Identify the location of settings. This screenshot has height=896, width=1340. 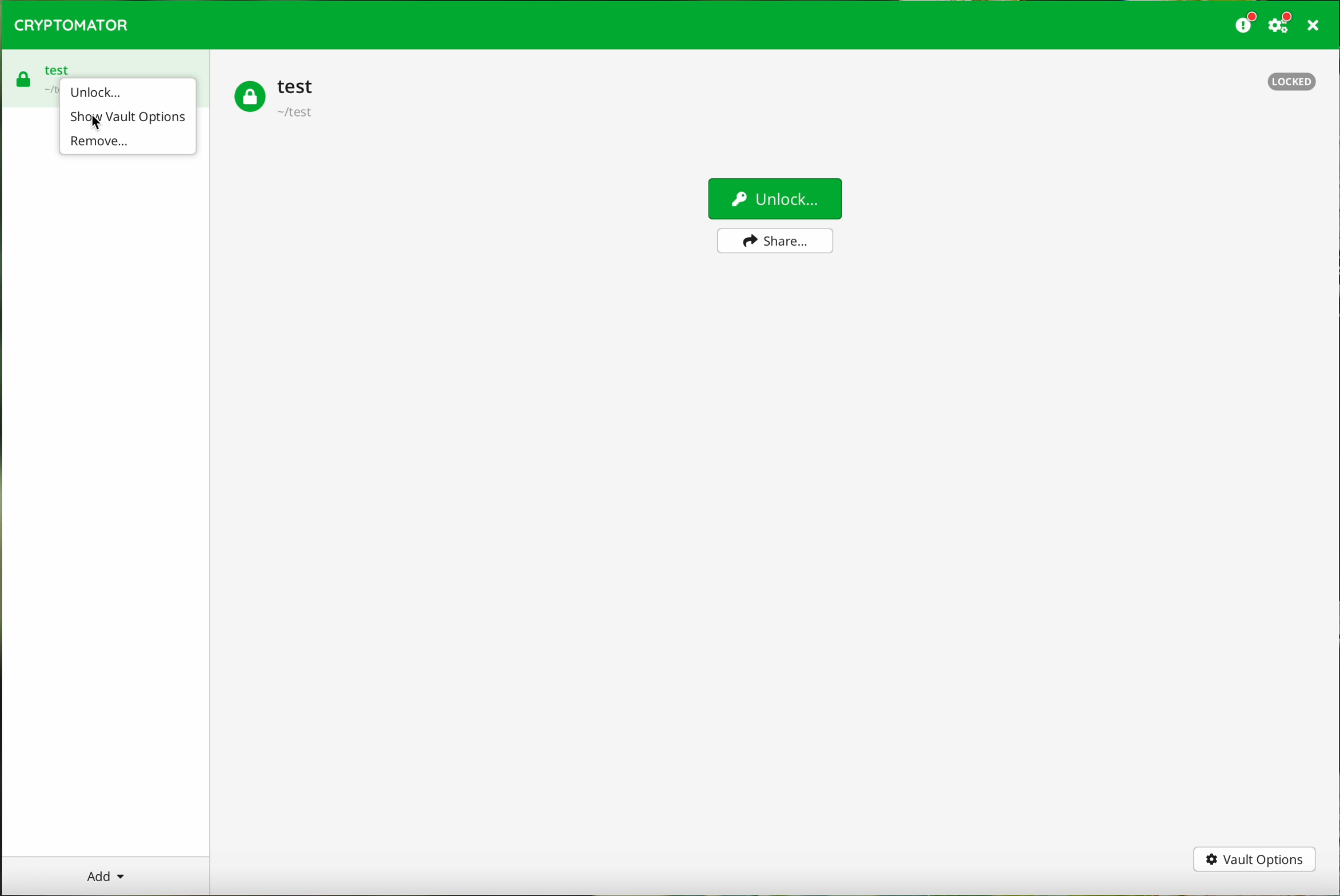
(1281, 26).